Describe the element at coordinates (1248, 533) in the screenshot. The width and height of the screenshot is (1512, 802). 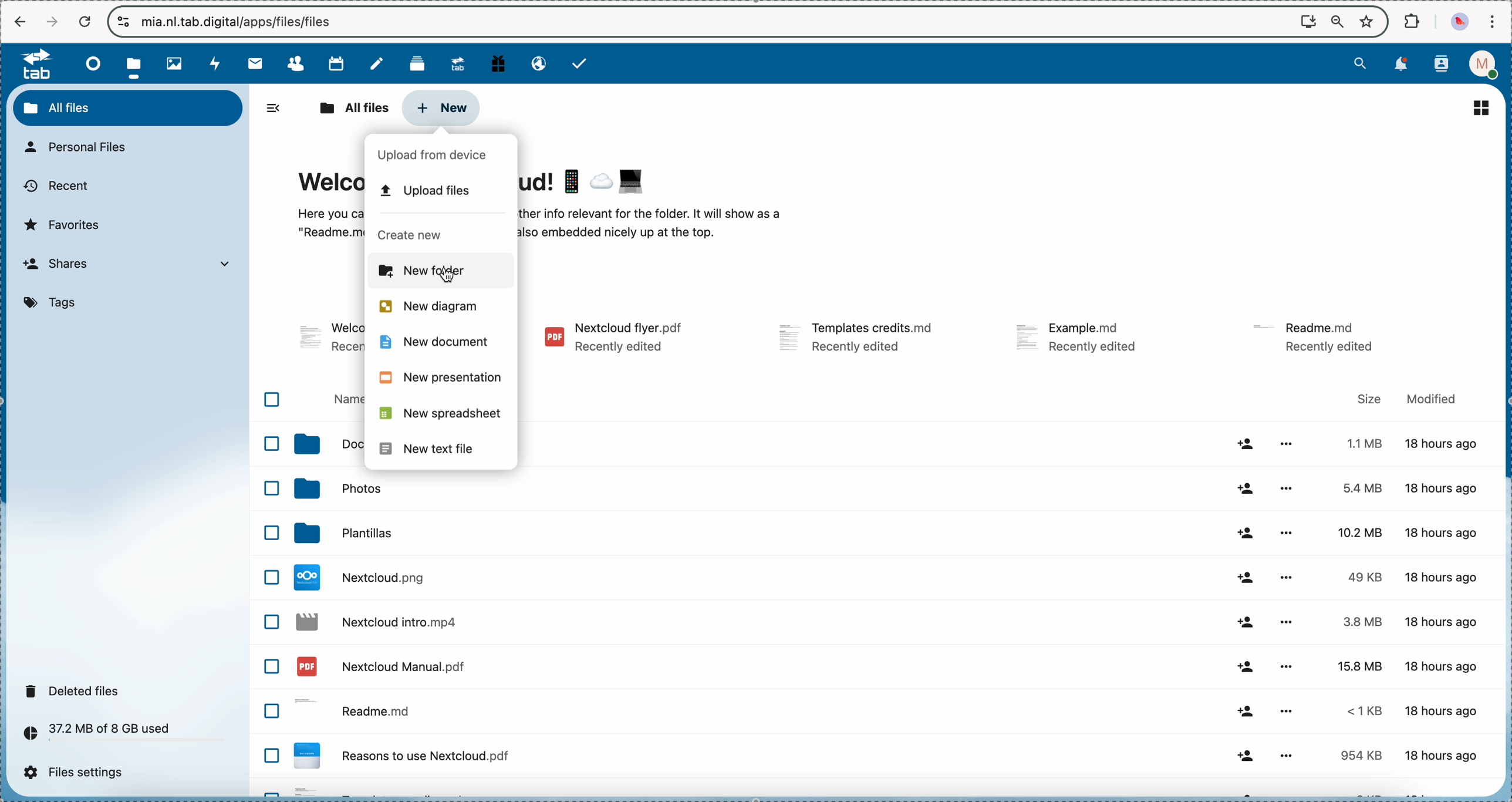
I see `share` at that location.